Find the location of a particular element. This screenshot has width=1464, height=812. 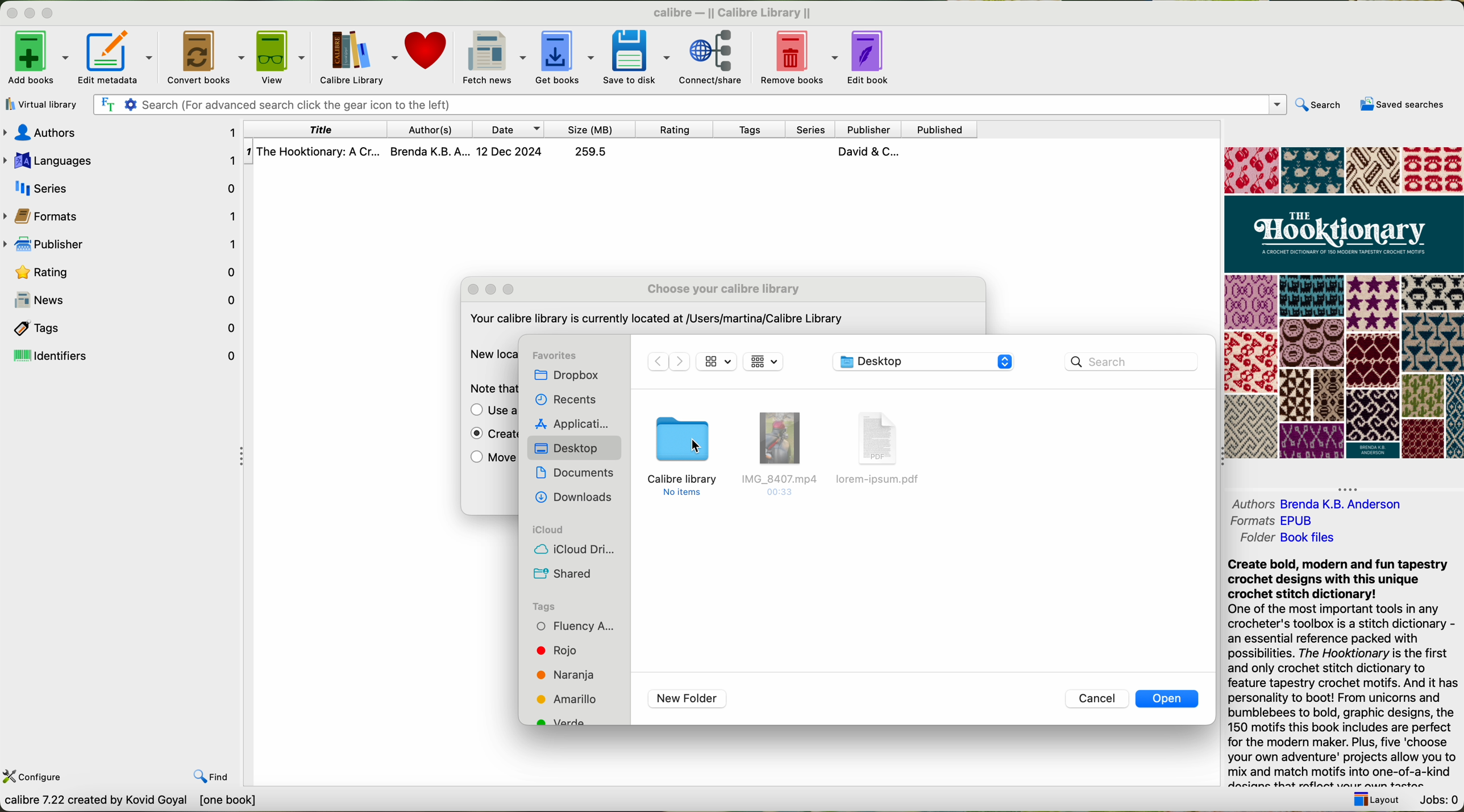

remove books is located at coordinates (798, 57).